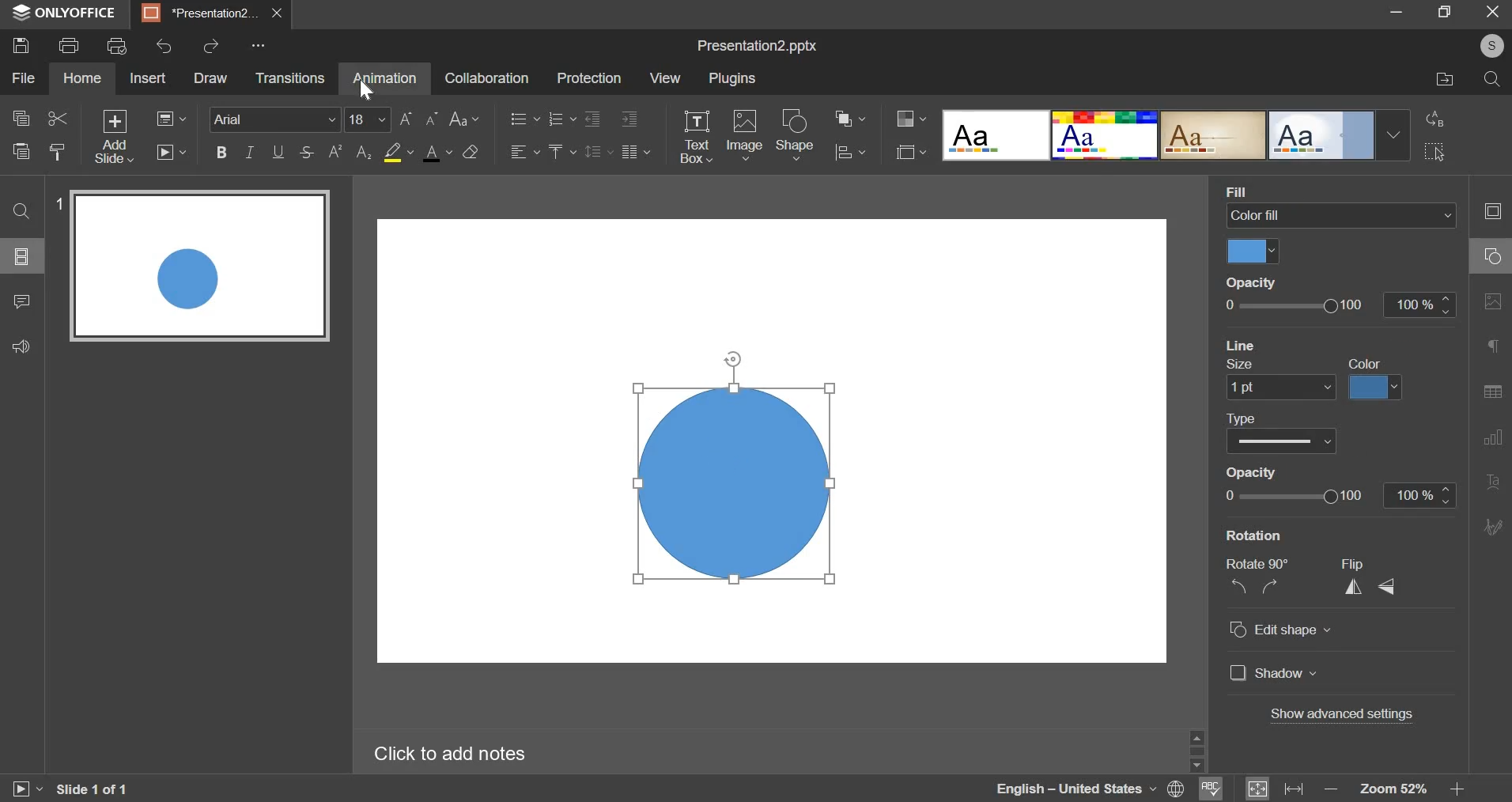  I want to click on edit shape, so click(1279, 630).